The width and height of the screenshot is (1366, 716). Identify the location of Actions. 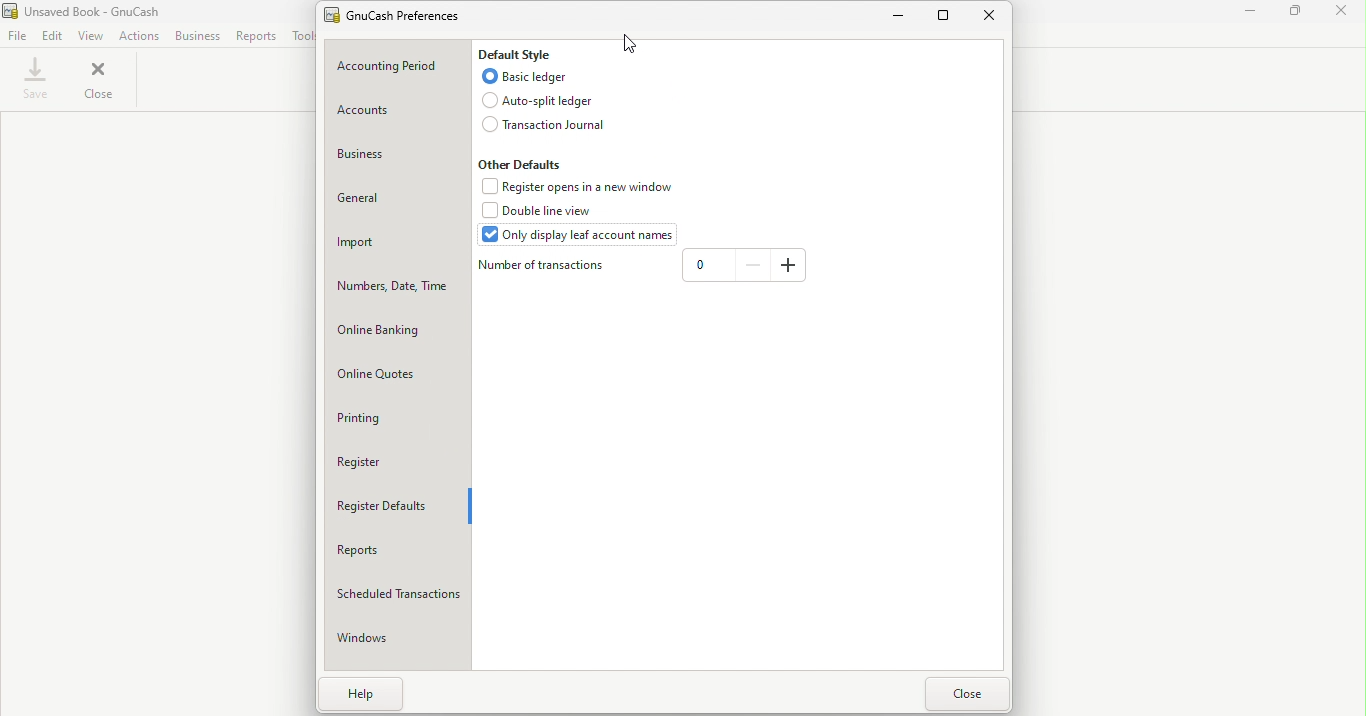
(142, 37).